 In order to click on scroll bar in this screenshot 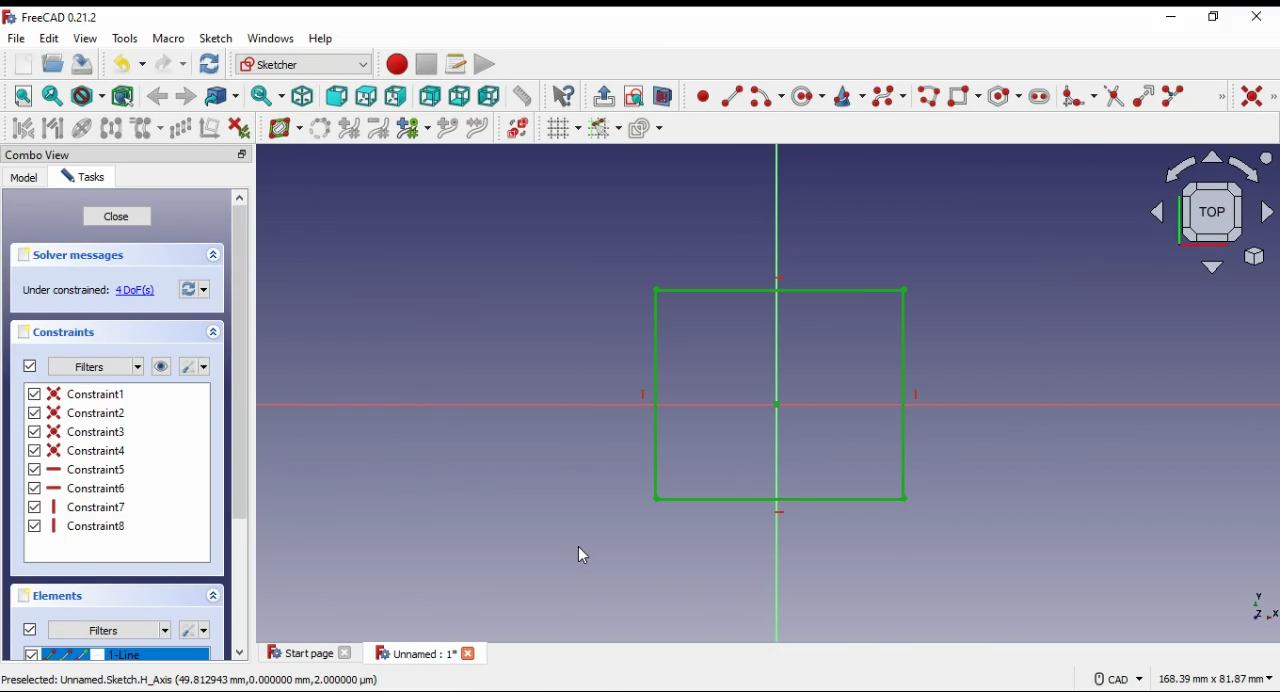, I will do `click(242, 426)`.